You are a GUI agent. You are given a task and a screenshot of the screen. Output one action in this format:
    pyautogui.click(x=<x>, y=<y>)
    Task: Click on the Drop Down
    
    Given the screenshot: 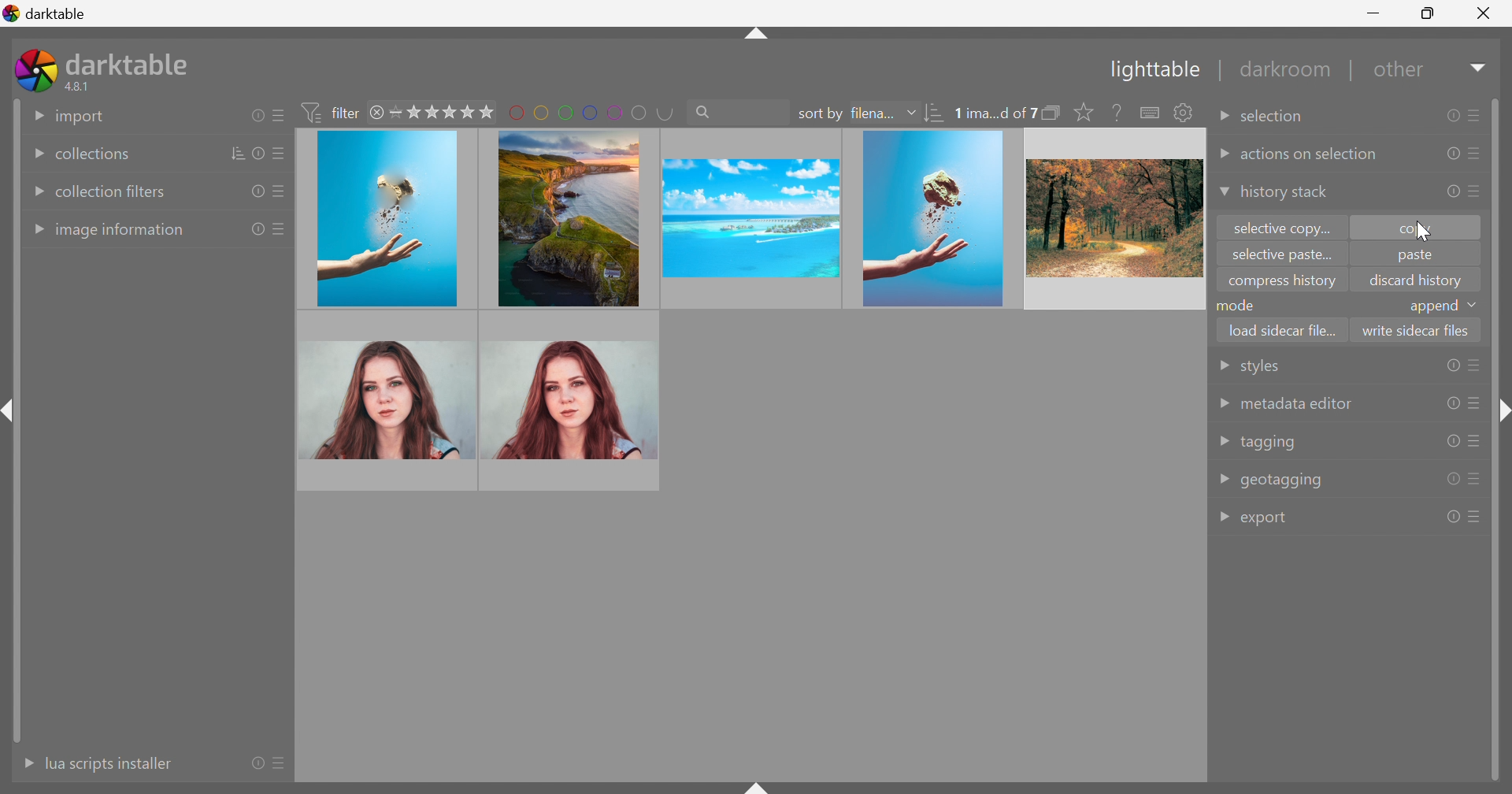 What is the action you would take?
    pyautogui.click(x=1221, y=193)
    